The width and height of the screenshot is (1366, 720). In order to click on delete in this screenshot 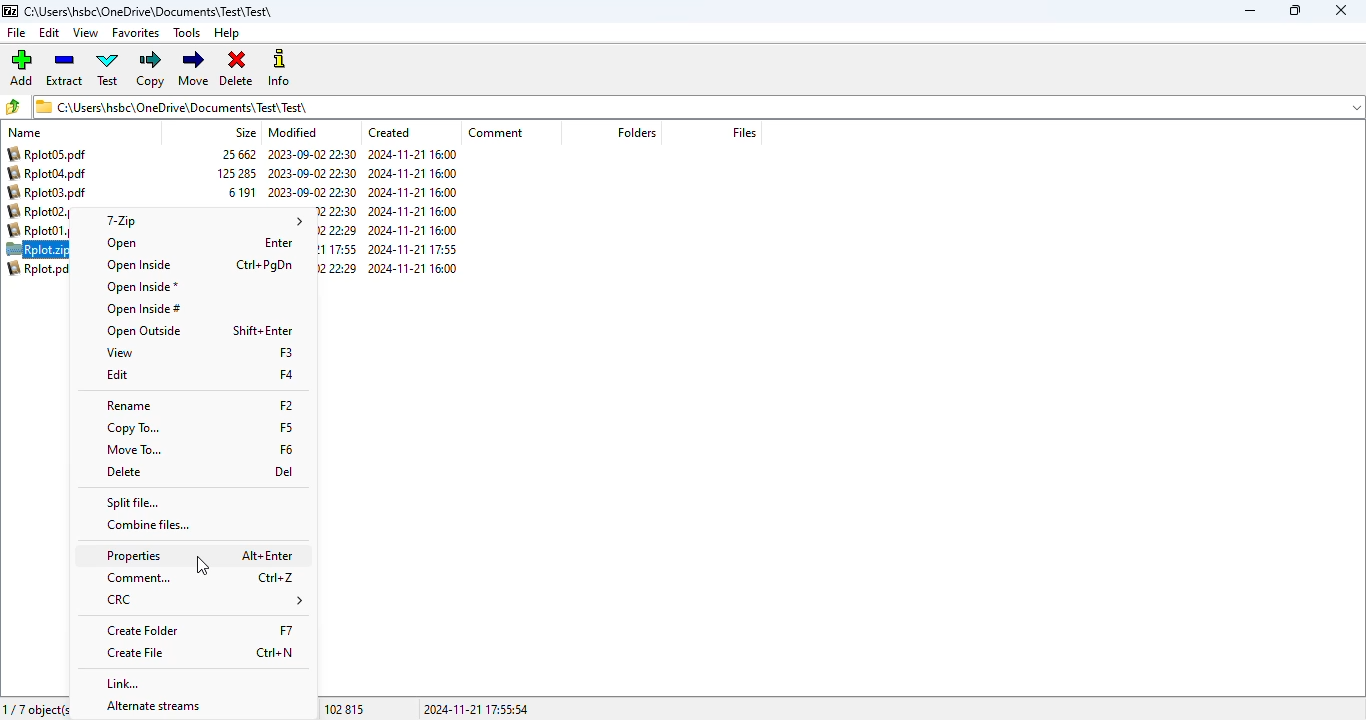, I will do `click(126, 472)`.